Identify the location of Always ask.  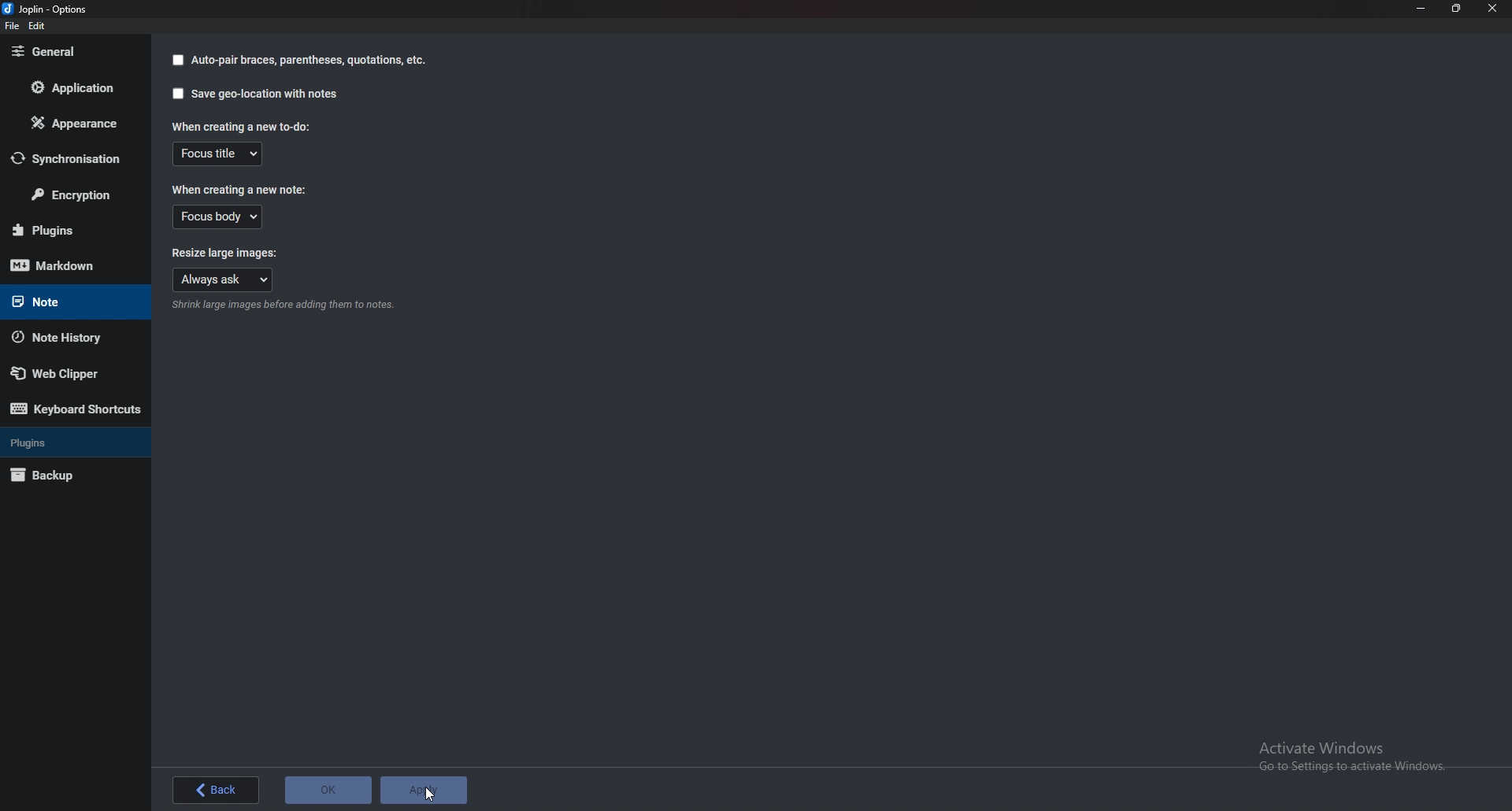
(223, 281).